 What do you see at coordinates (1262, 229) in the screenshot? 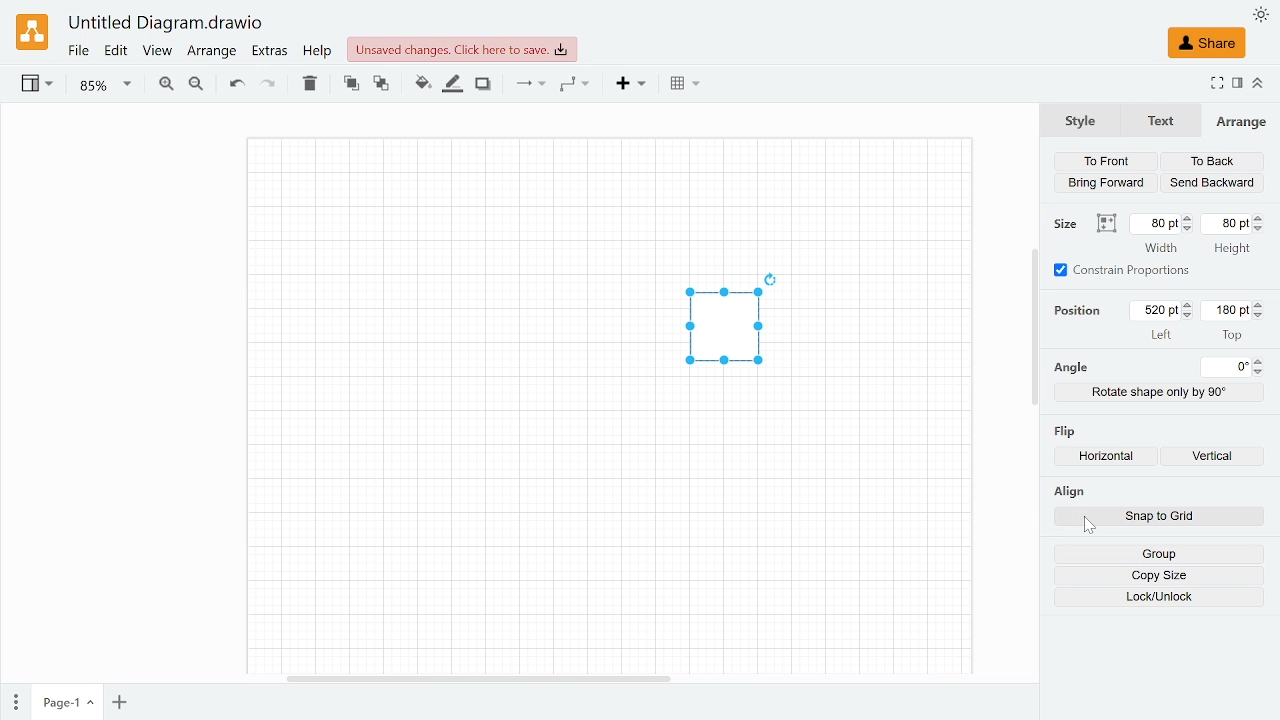
I see `Decrease height` at bounding box center [1262, 229].